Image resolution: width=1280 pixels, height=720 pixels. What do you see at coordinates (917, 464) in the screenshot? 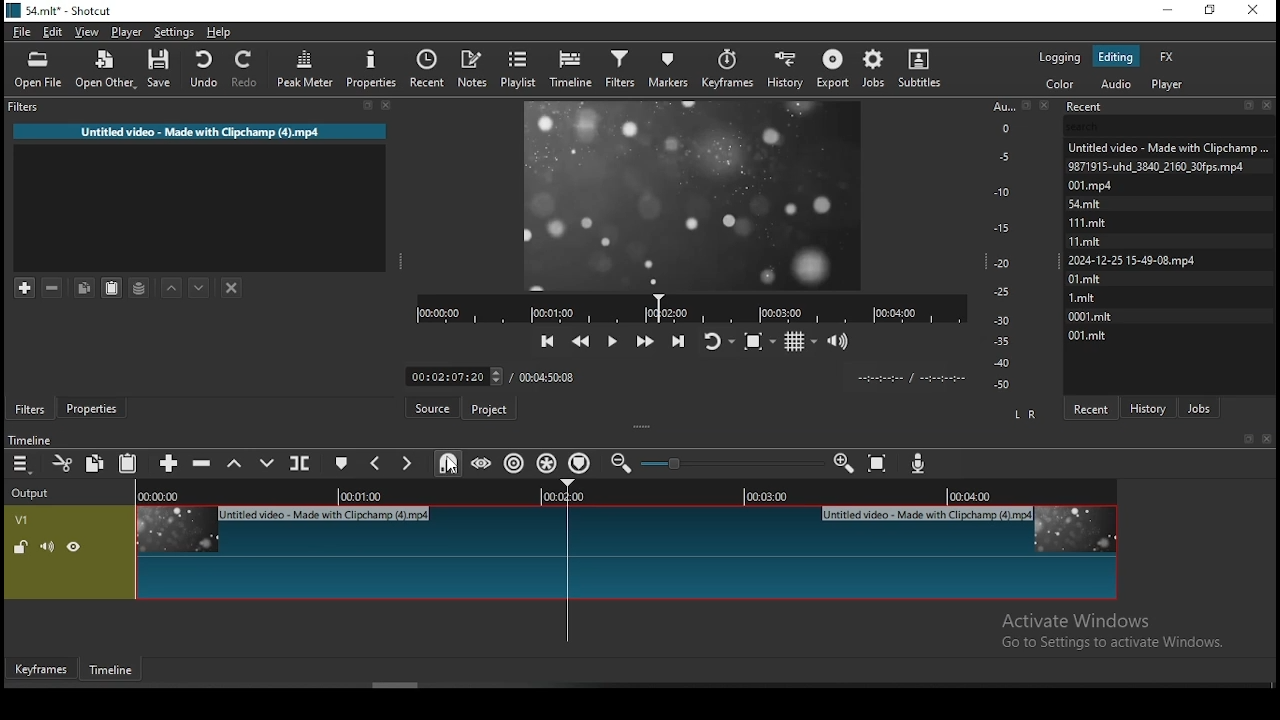
I see `record audio` at bounding box center [917, 464].